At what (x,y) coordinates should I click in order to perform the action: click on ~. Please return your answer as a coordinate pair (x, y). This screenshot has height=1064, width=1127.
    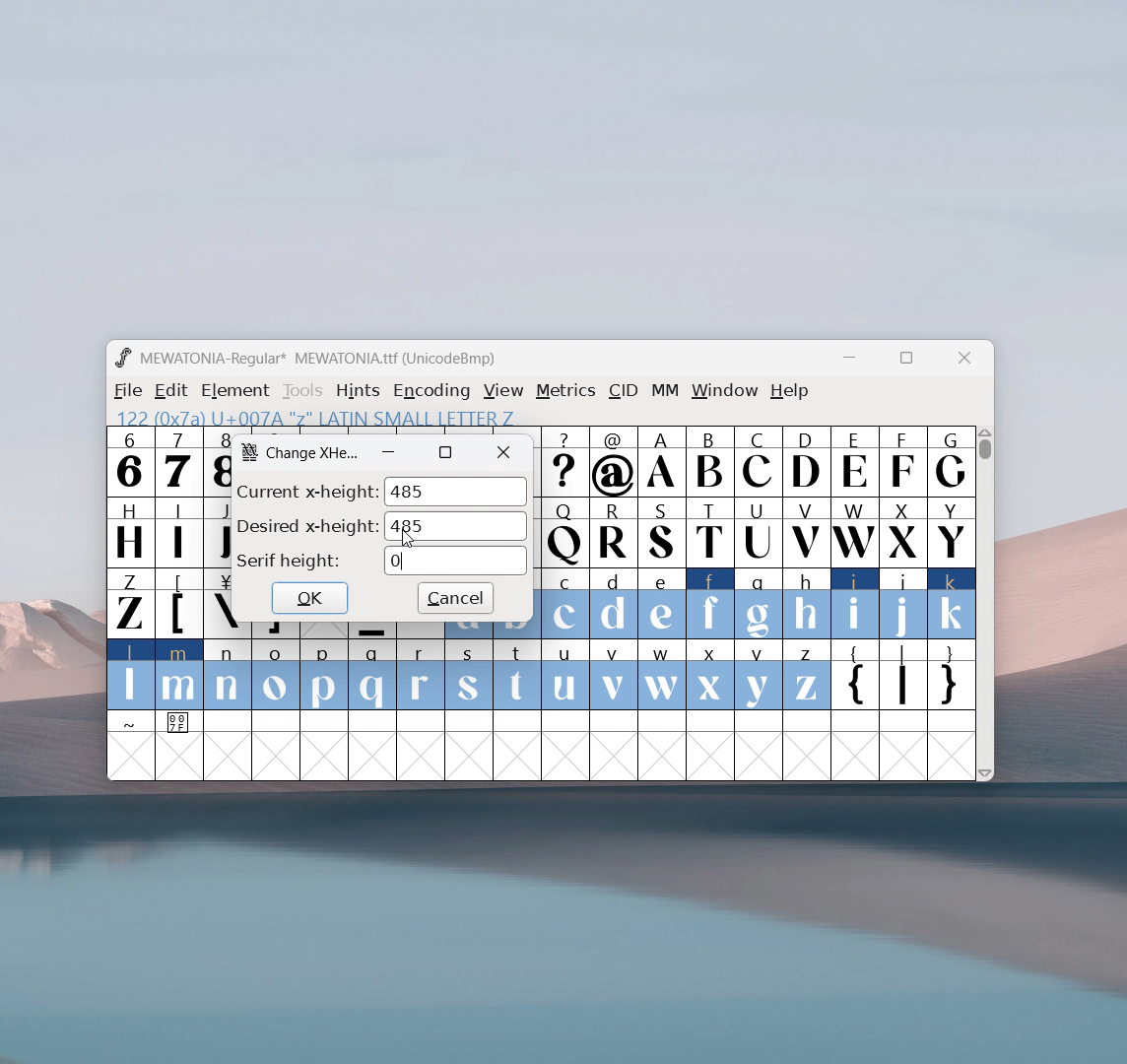
    Looking at the image, I should click on (131, 723).